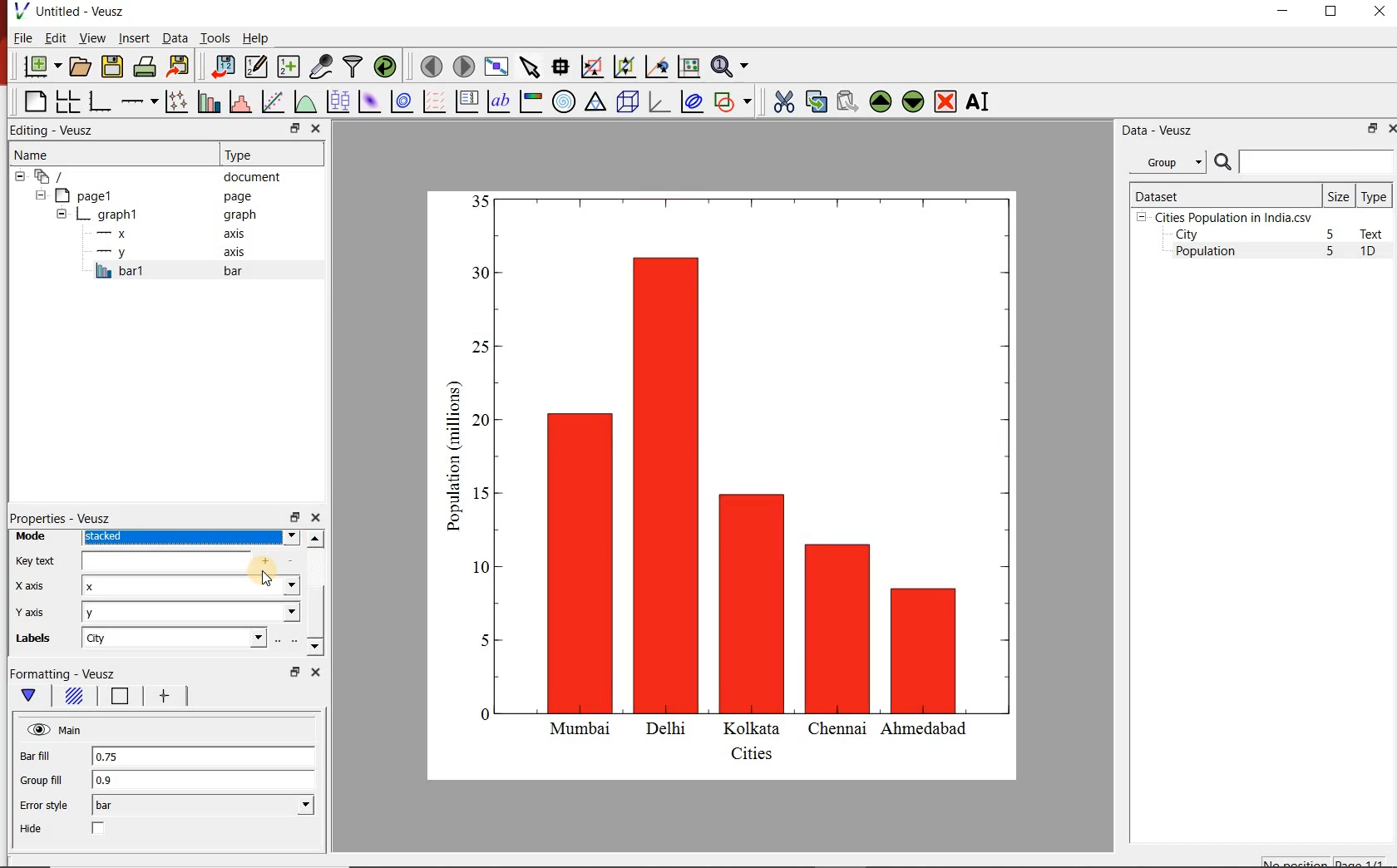 The image size is (1397, 868). What do you see at coordinates (353, 67) in the screenshot?
I see `filter data` at bounding box center [353, 67].